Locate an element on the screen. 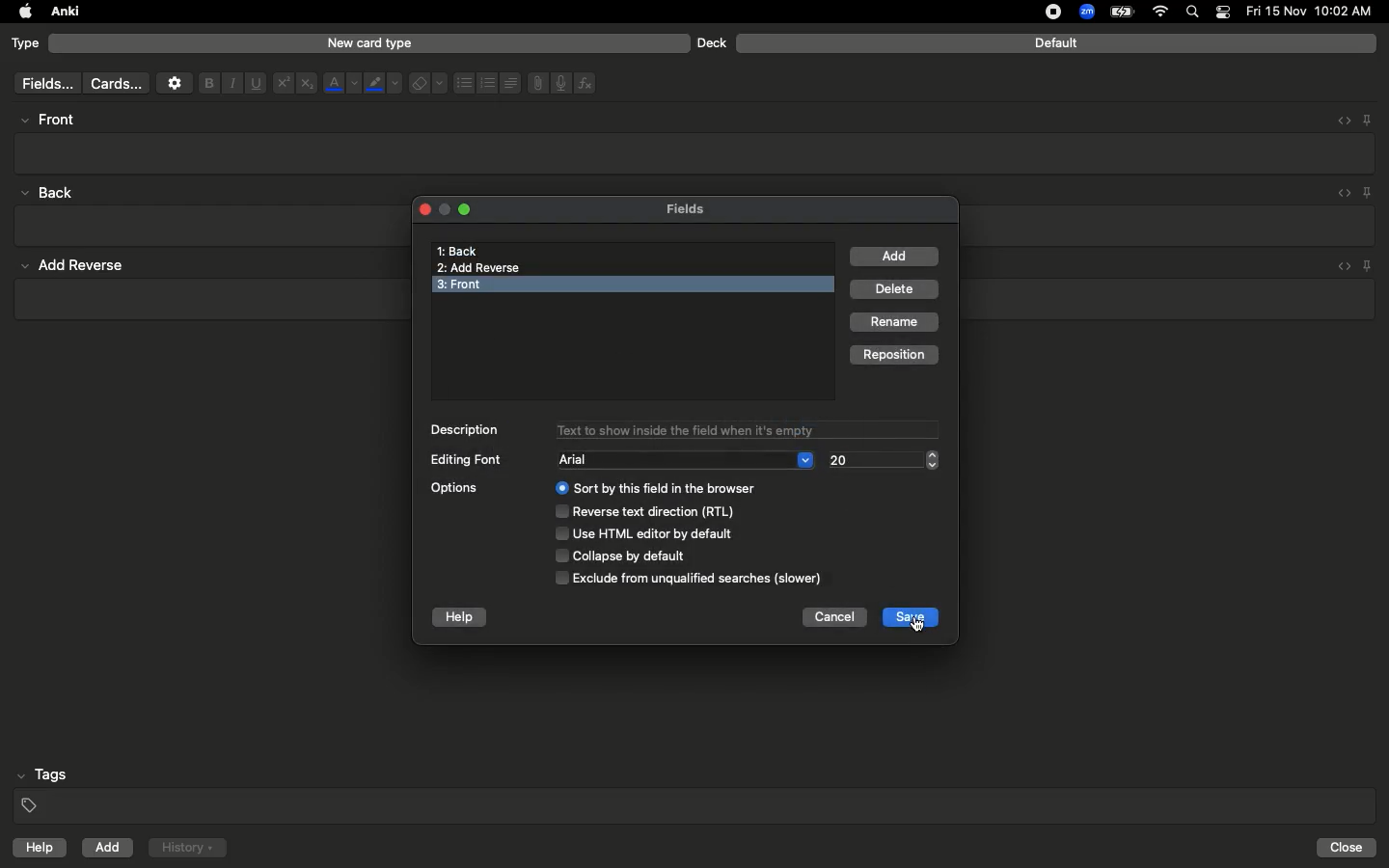  back is located at coordinates (52, 192).